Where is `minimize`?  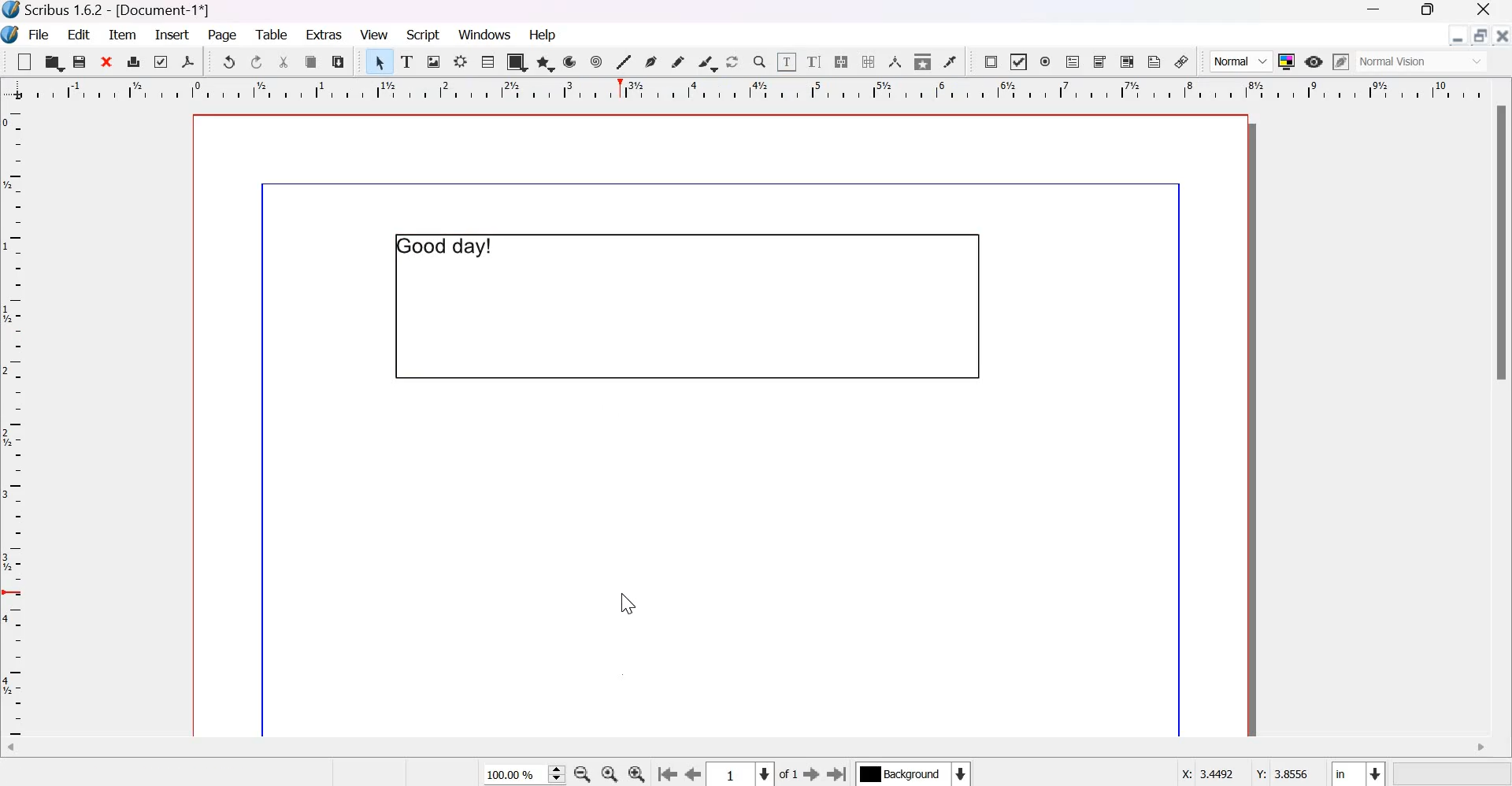 minimize is located at coordinates (1458, 35).